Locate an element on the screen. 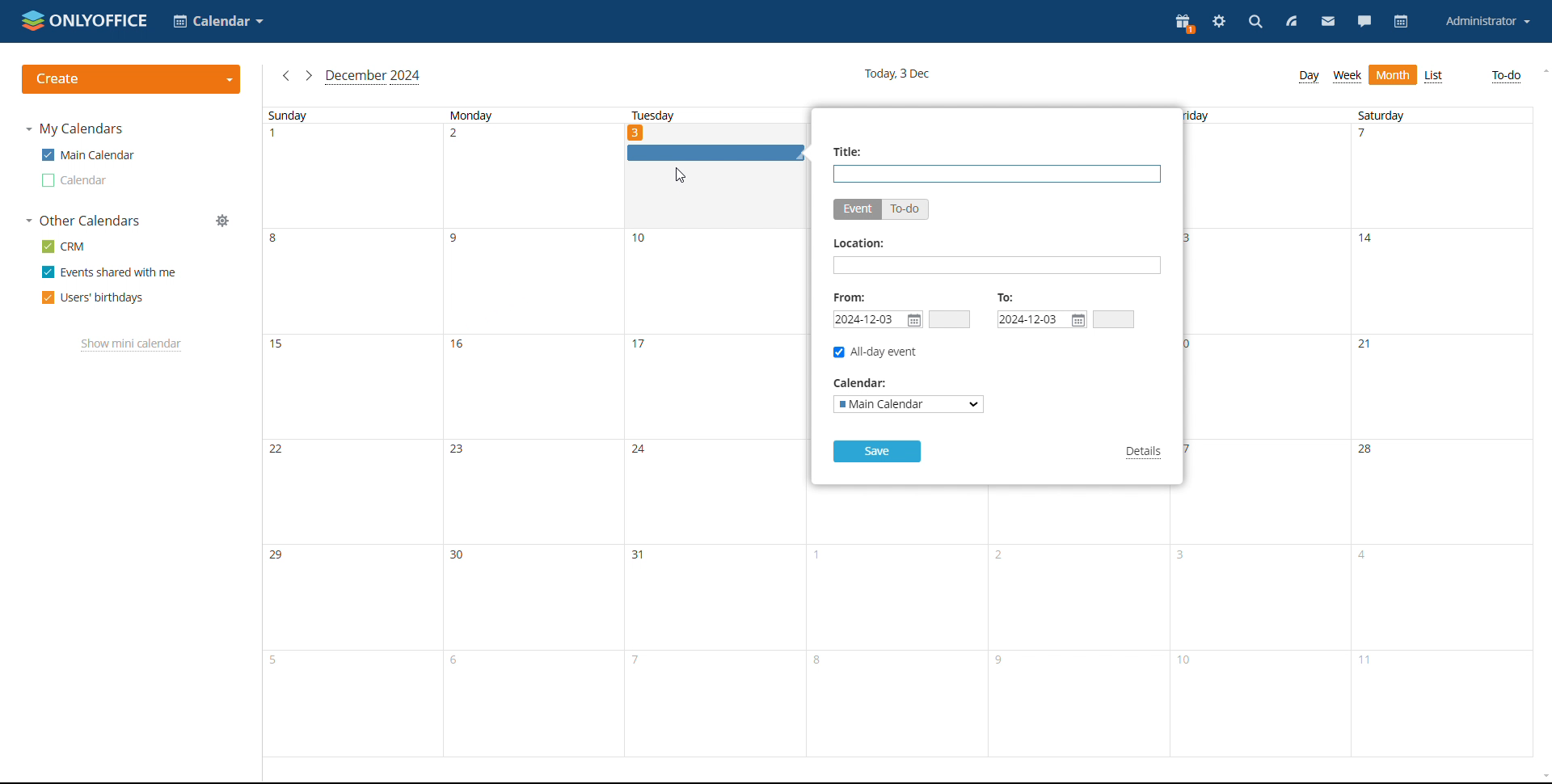  title: is located at coordinates (852, 150).